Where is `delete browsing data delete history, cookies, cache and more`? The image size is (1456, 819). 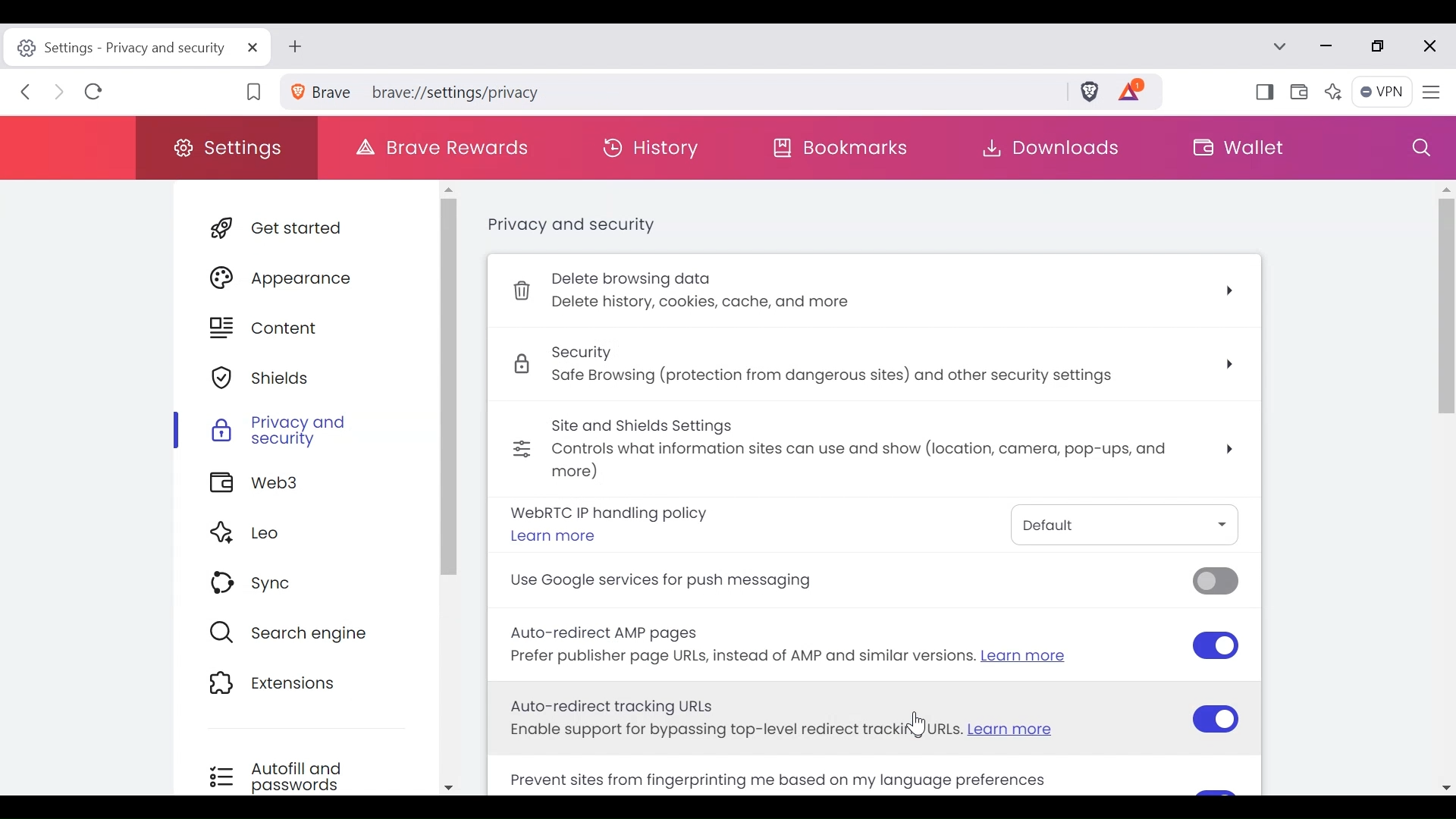
delete browsing data delete history, cookies, cache and more is located at coordinates (873, 293).